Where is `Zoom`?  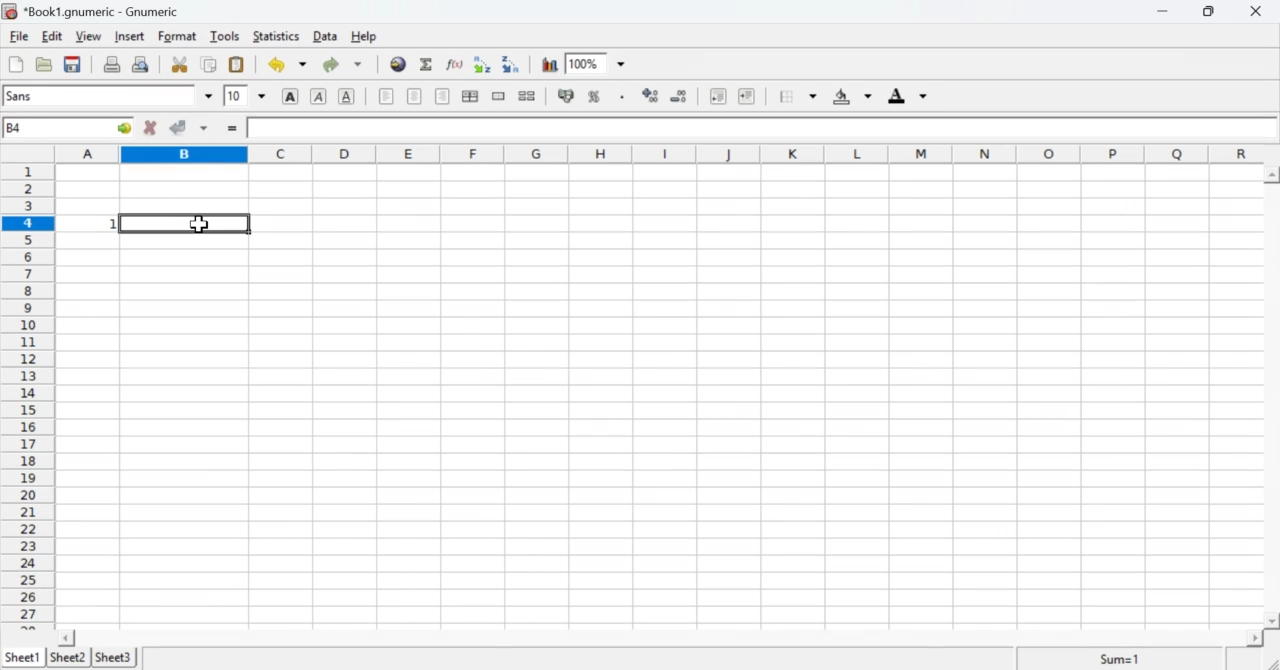 Zoom is located at coordinates (598, 61).